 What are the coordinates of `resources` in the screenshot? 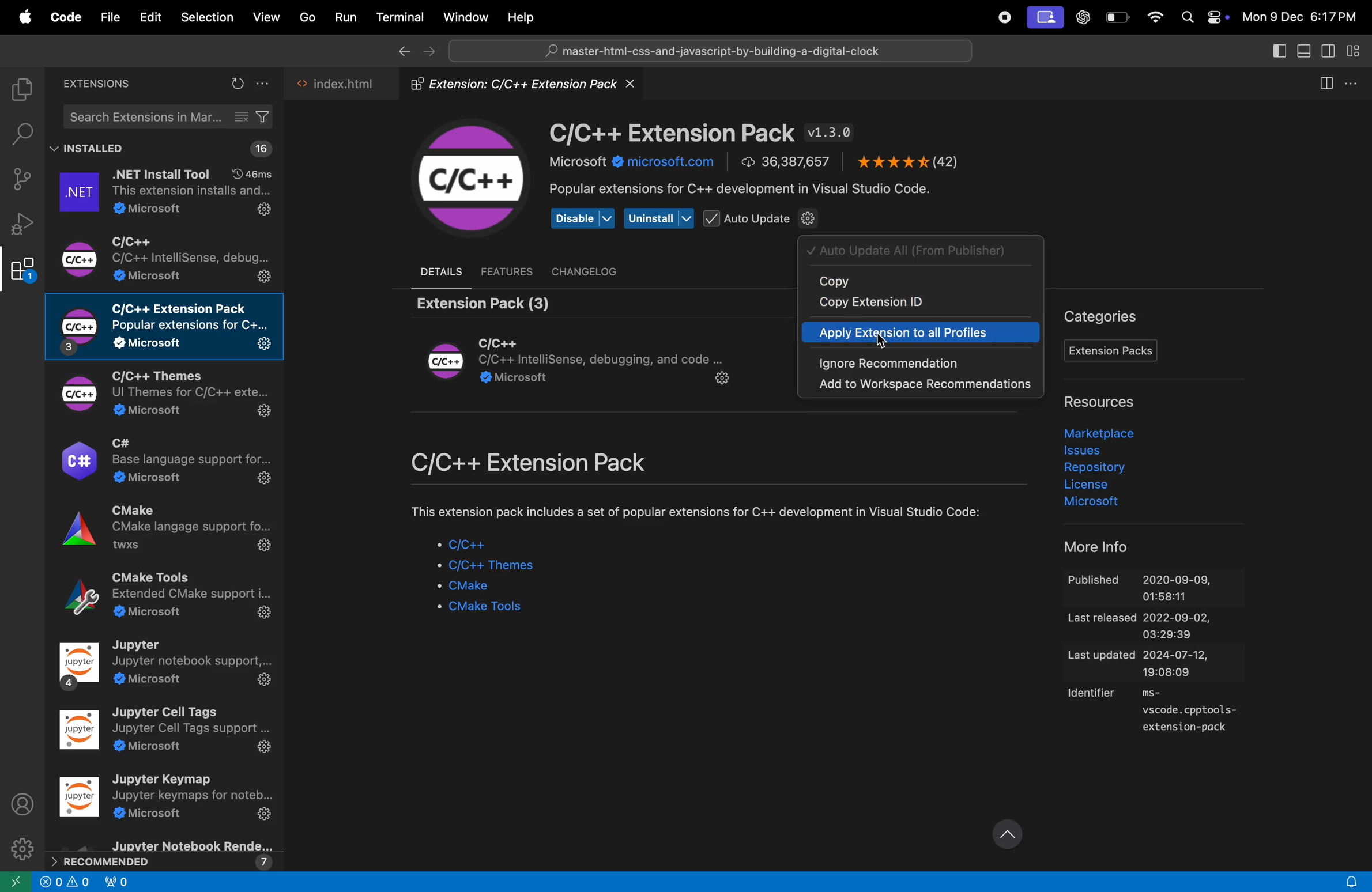 It's located at (1096, 403).